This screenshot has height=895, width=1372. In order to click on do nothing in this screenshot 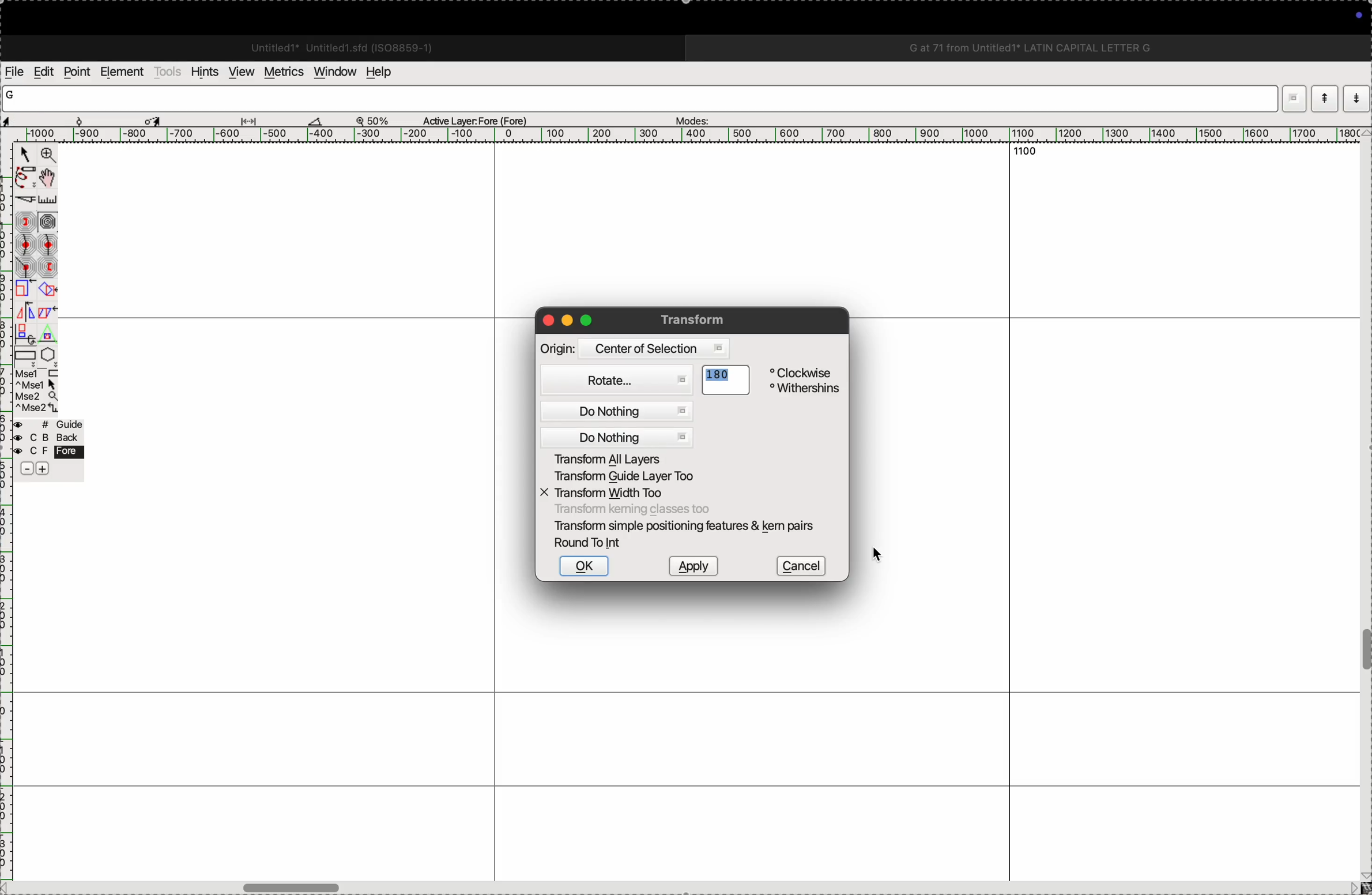, I will do `click(619, 438)`.